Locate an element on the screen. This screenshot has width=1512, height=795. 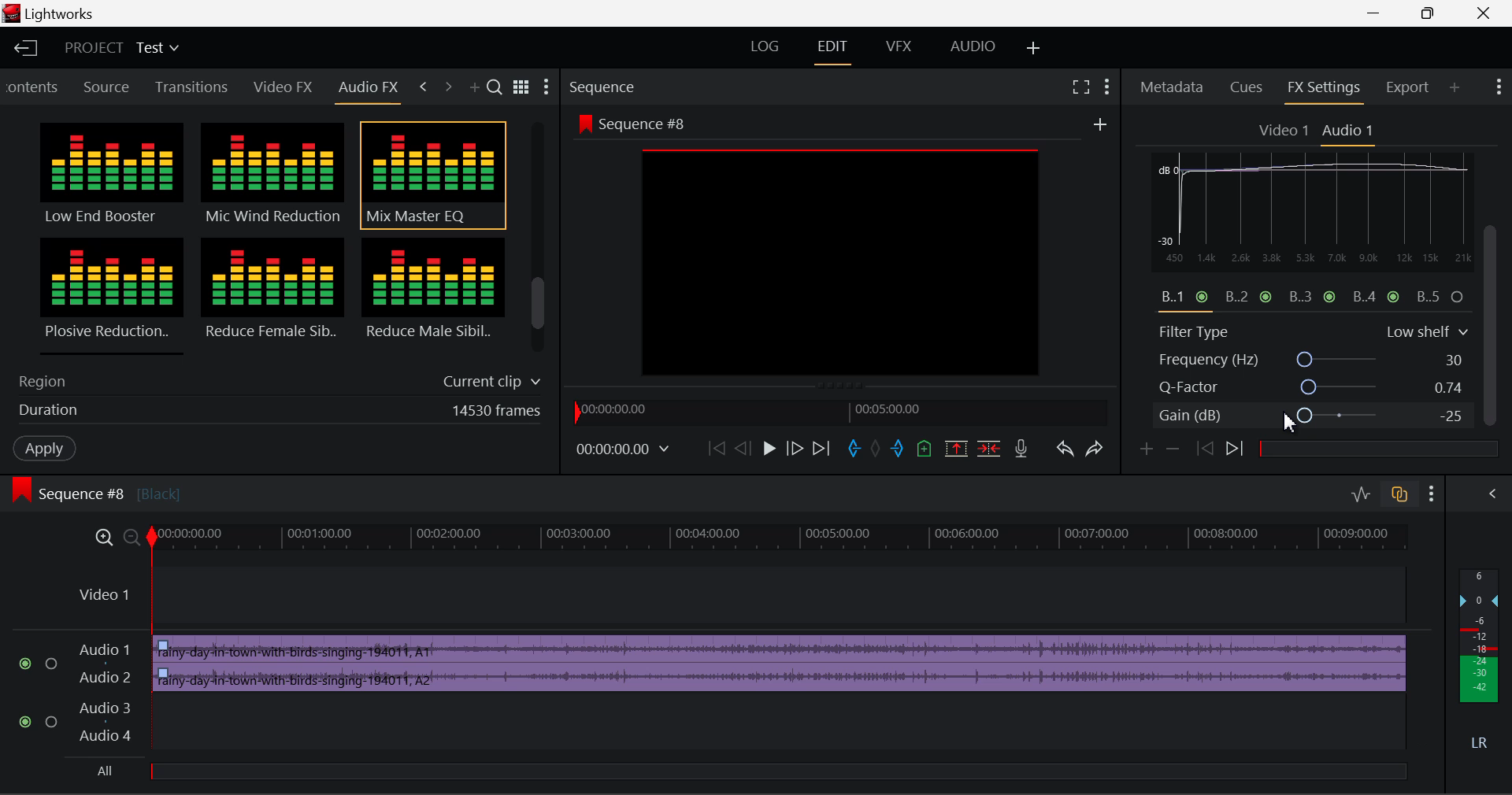
Seetings is located at coordinates (1470, 167).